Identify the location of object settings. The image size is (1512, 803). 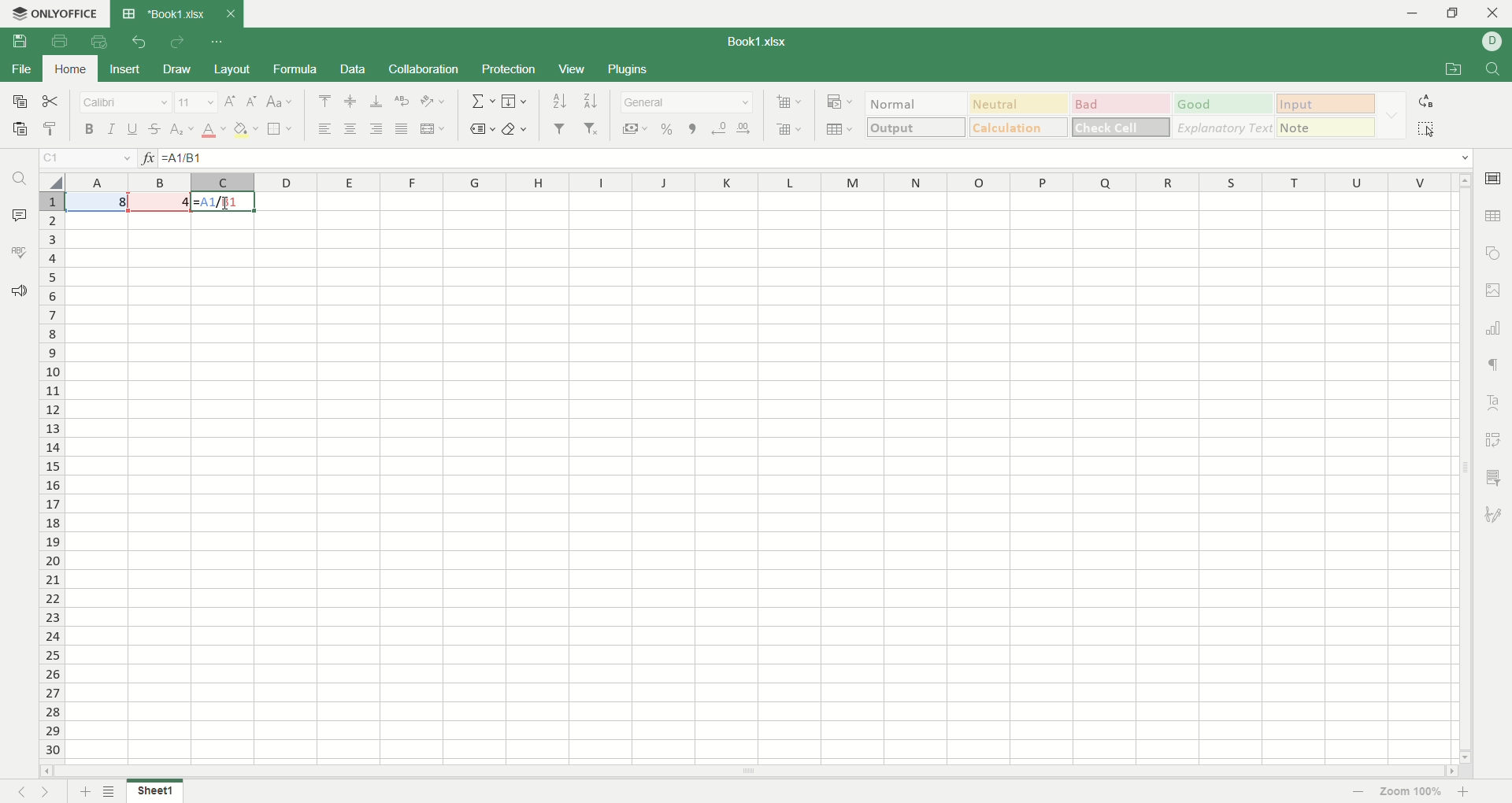
(1494, 253).